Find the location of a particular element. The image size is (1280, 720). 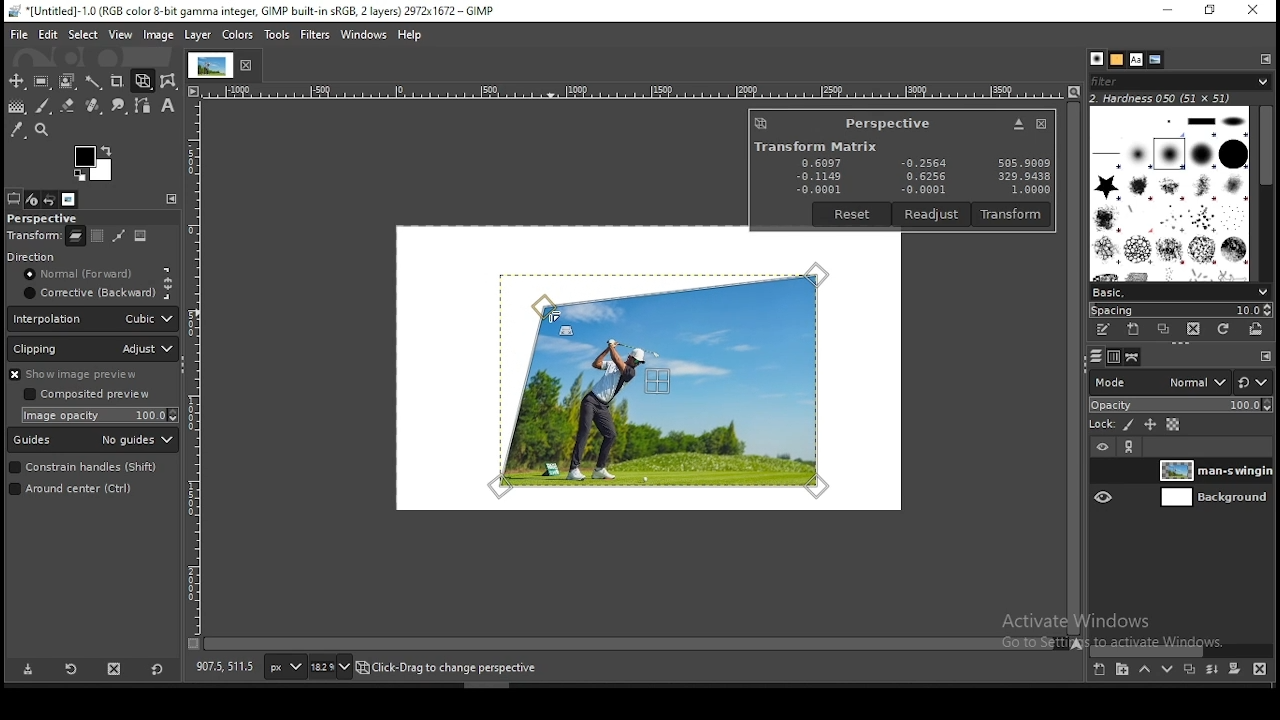

vertical scale is located at coordinates (197, 366).